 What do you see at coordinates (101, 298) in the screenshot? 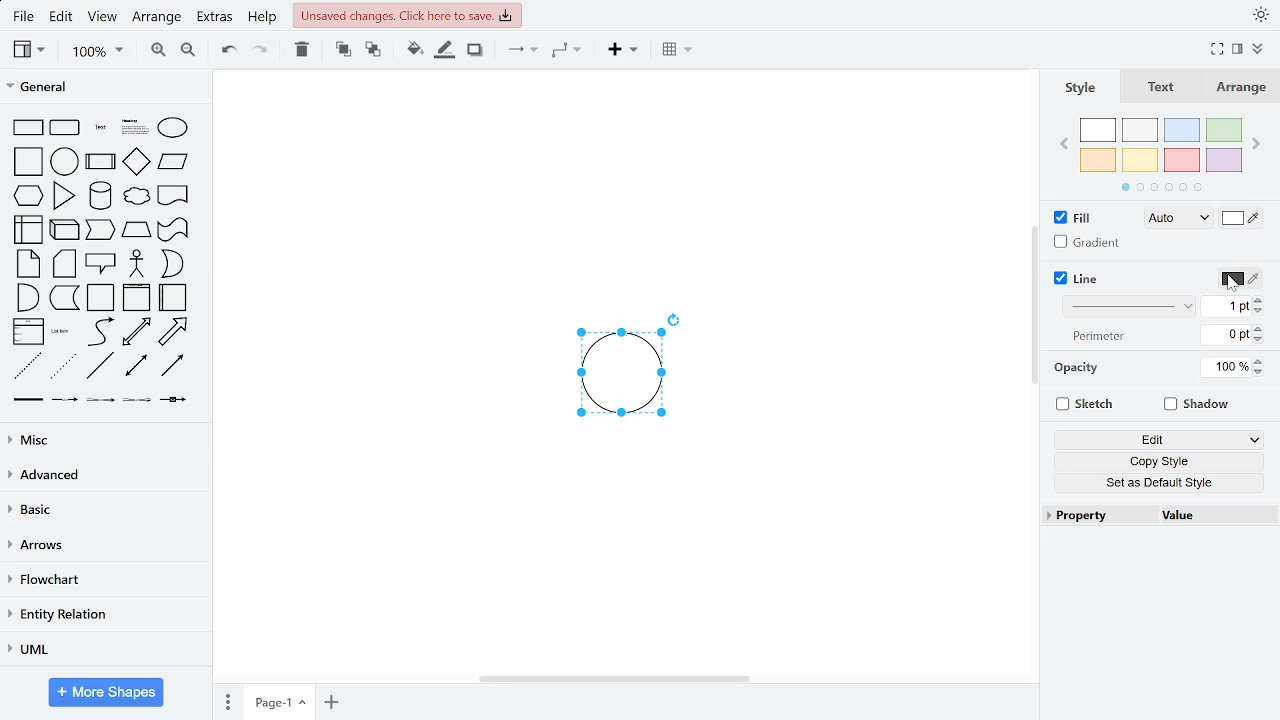
I see `container` at bounding box center [101, 298].